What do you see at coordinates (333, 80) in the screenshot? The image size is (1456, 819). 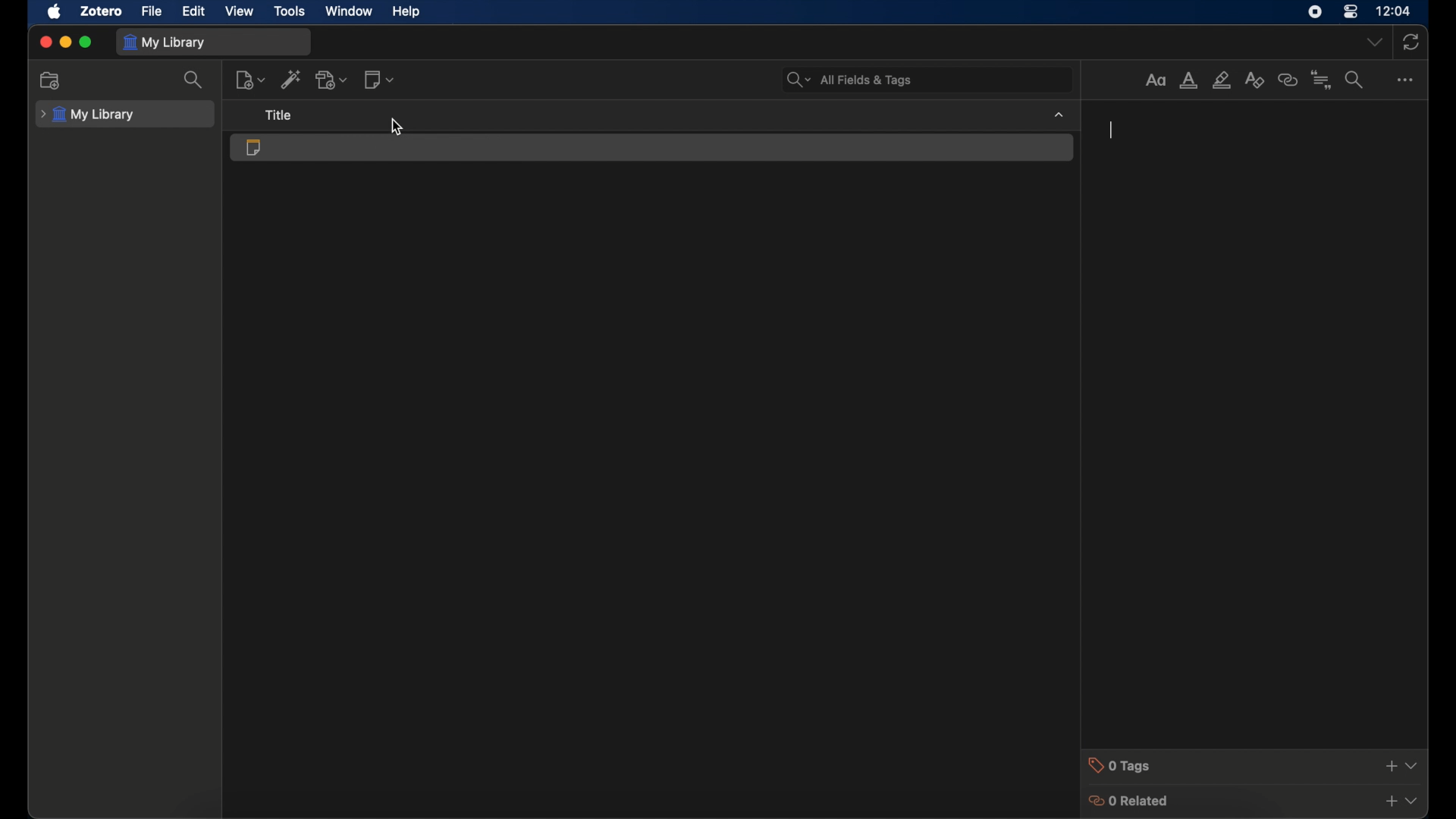 I see `add attachments` at bounding box center [333, 80].